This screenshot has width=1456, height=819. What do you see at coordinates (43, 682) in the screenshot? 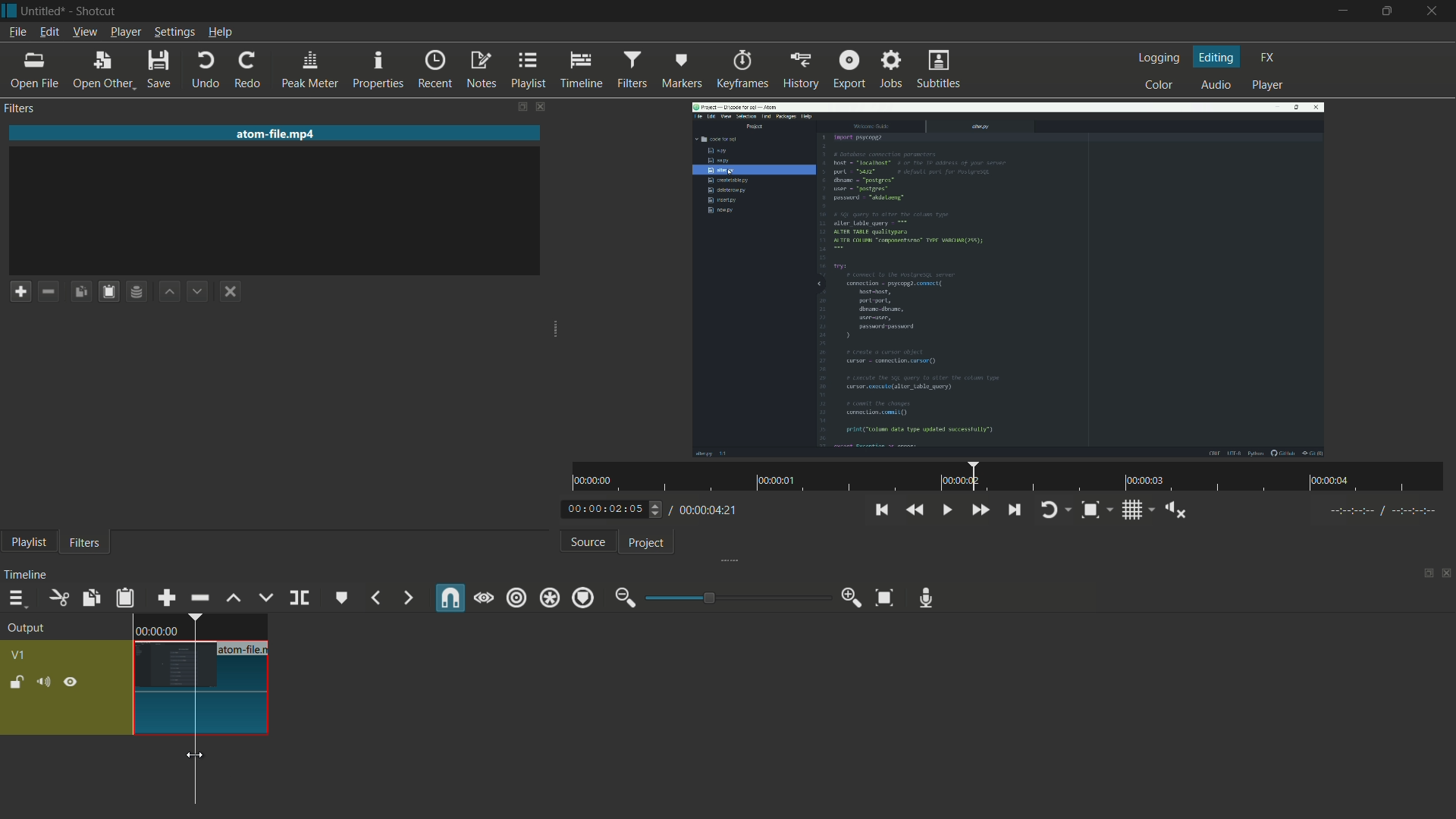
I see `mute` at bounding box center [43, 682].